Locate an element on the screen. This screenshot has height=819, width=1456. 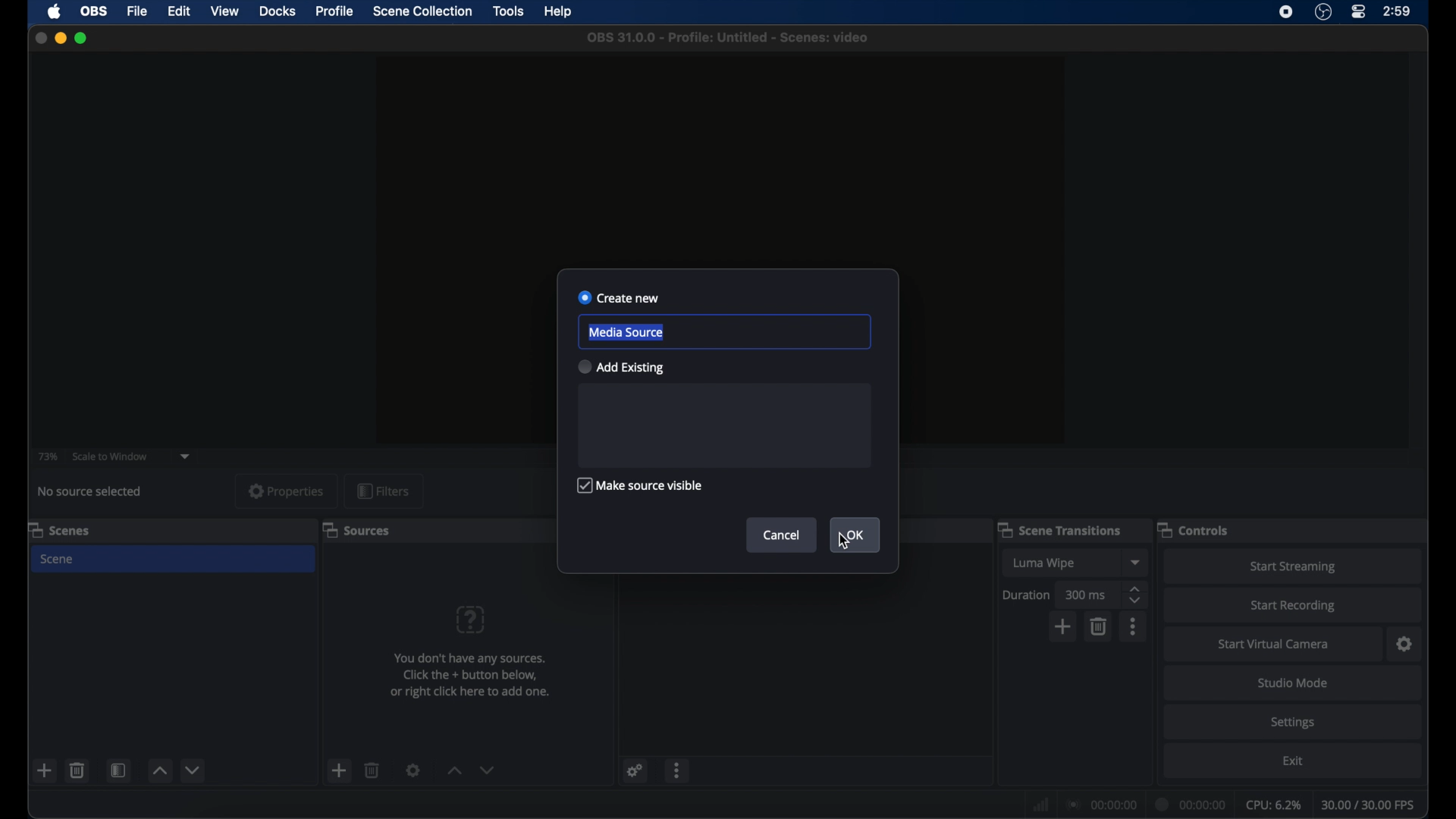
73% is located at coordinates (46, 457).